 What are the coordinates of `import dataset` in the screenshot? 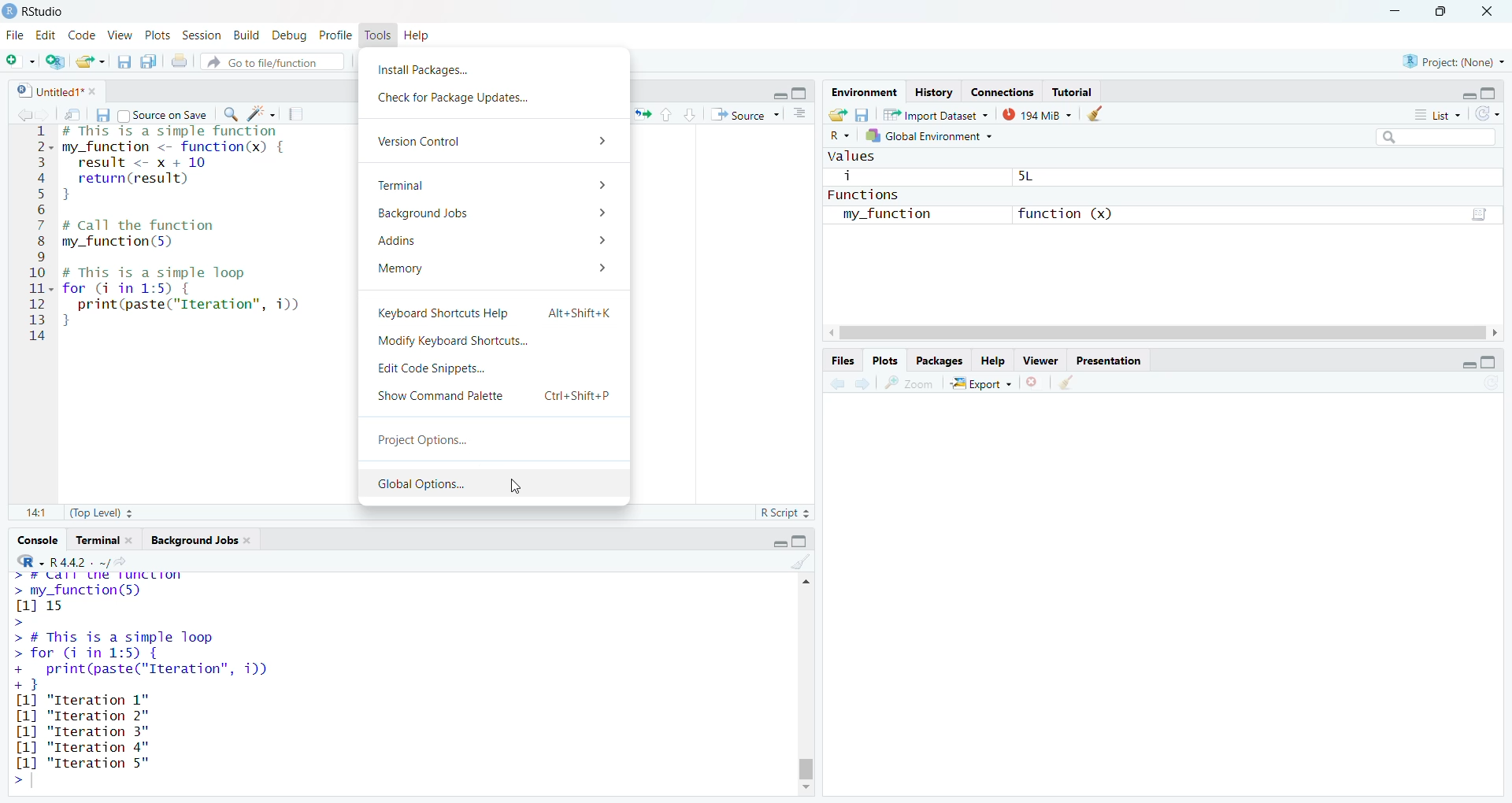 It's located at (936, 117).